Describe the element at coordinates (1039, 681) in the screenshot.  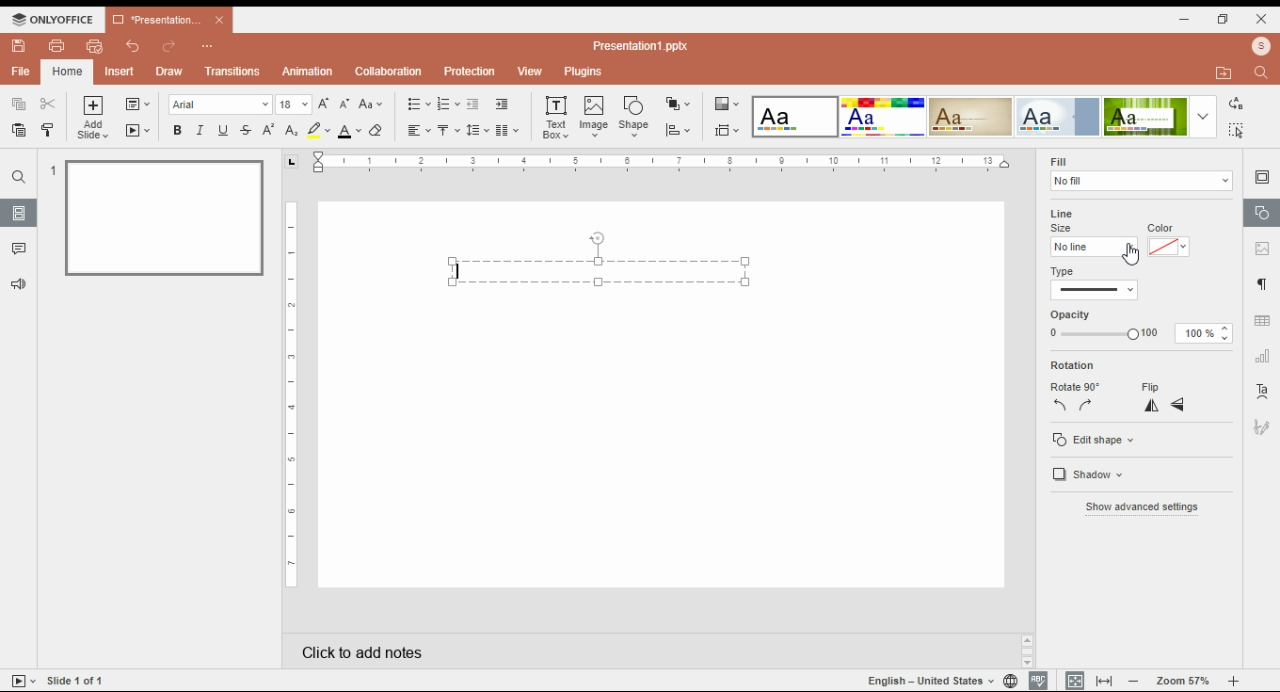
I see `spell check` at that location.